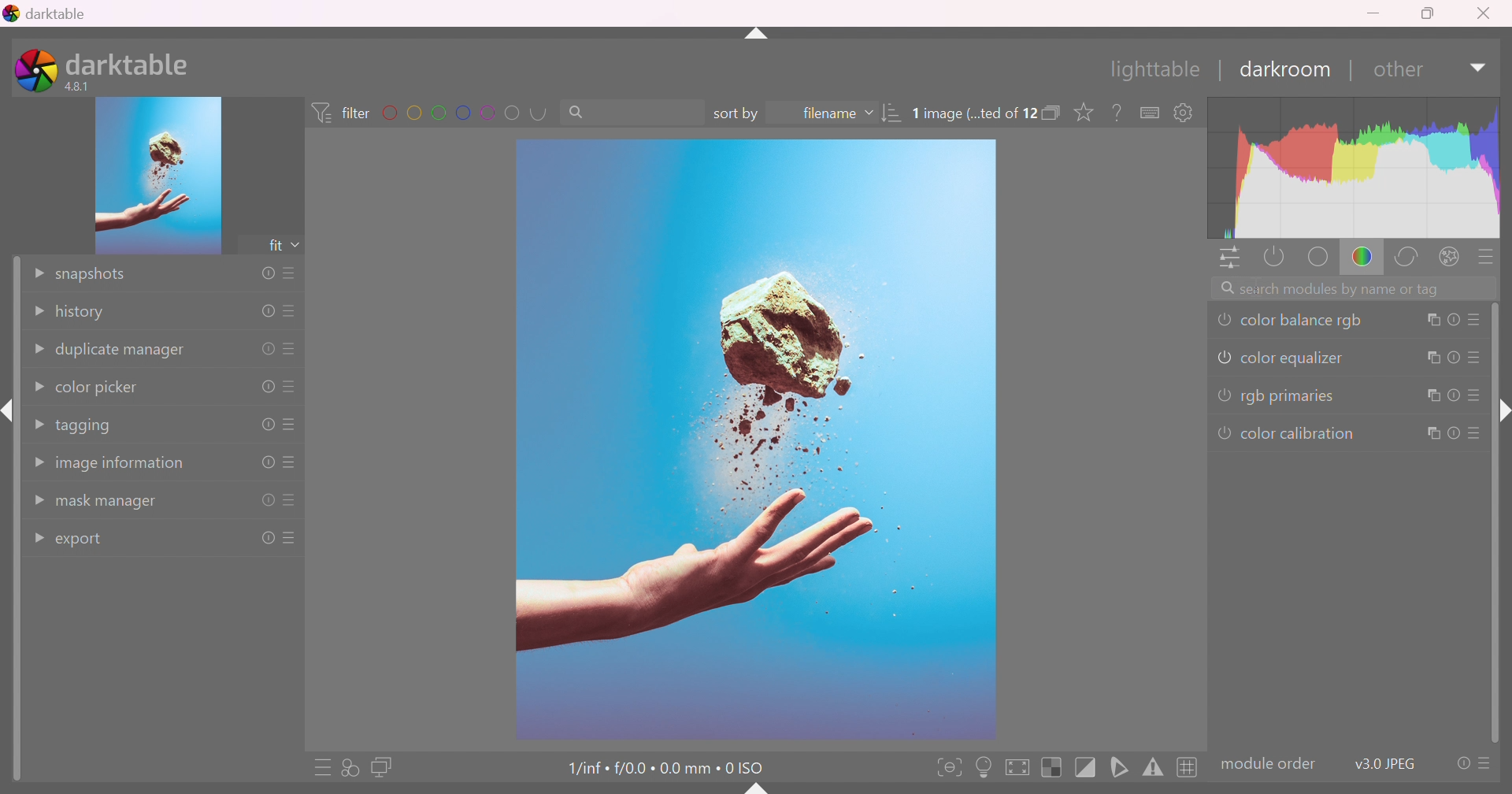 This screenshot has height=794, width=1512. I want to click on search module by name or tag, so click(1355, 289).